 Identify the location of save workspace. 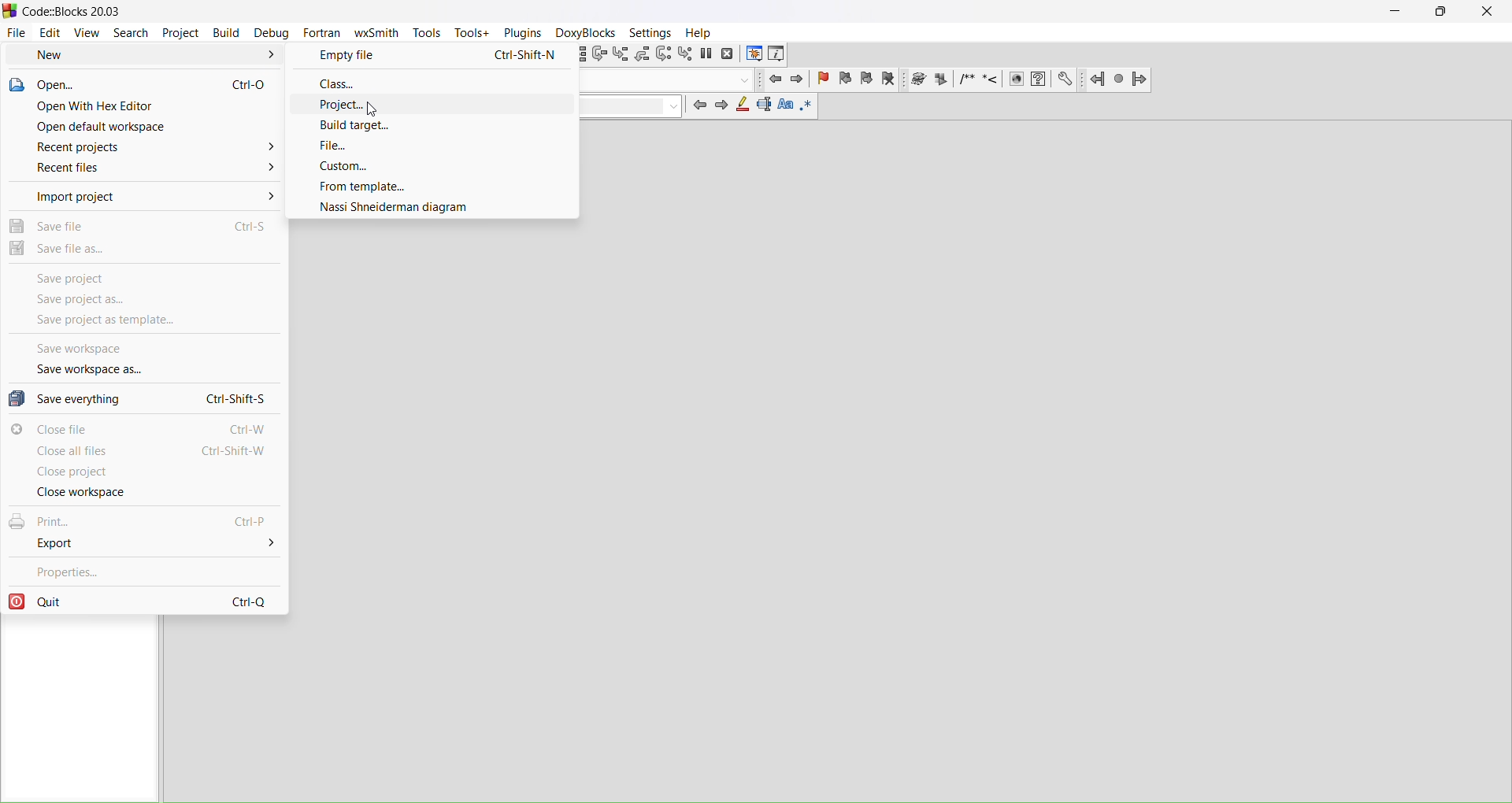
(145, 346).